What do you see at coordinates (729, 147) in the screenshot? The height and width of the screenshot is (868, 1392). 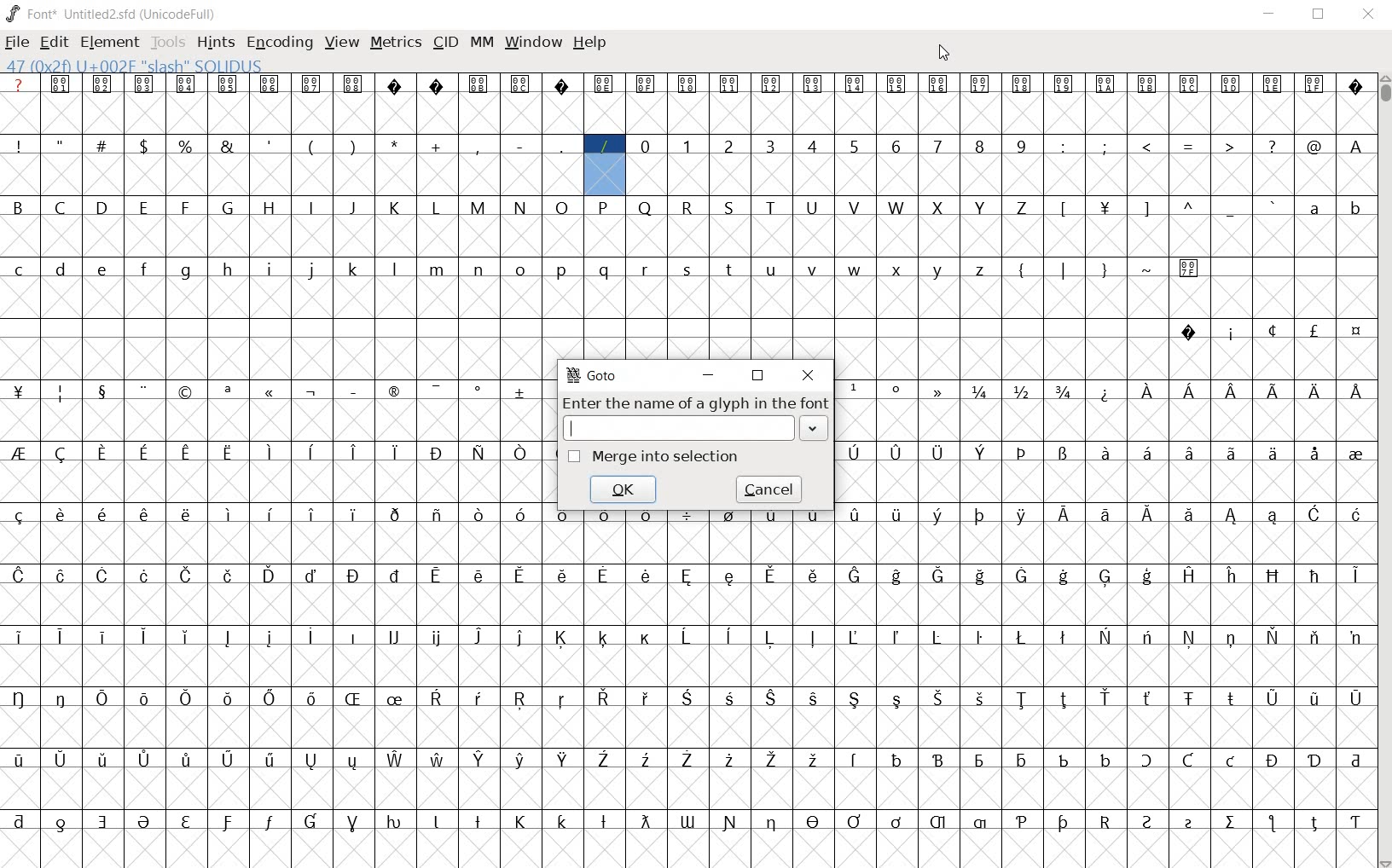 I see `glyph` at bounding box center [729, 147].